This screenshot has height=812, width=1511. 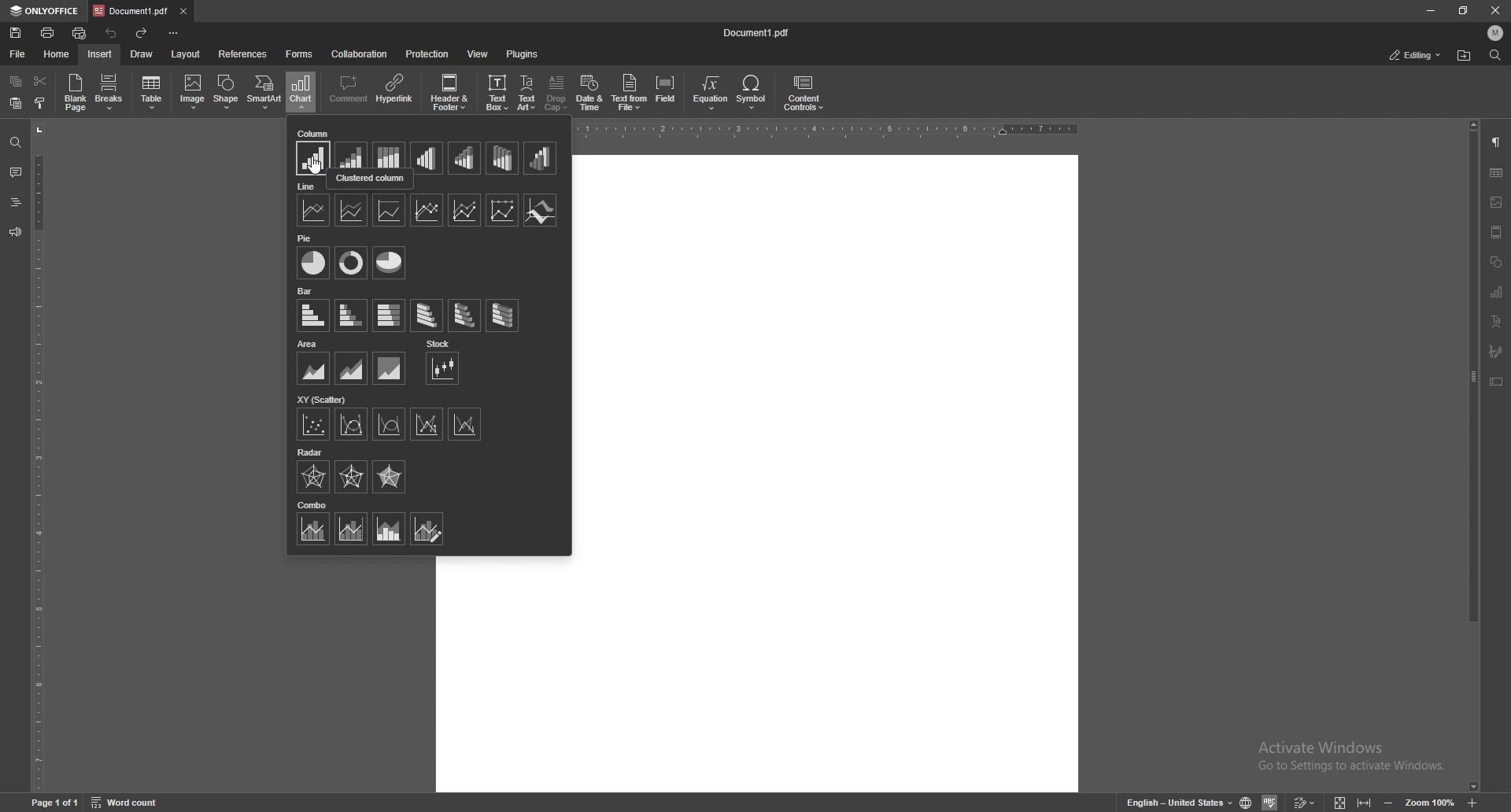 What do you see at coordinates (313, 368) in the screenshot?
I see `area` at bounding box center [313, 368].